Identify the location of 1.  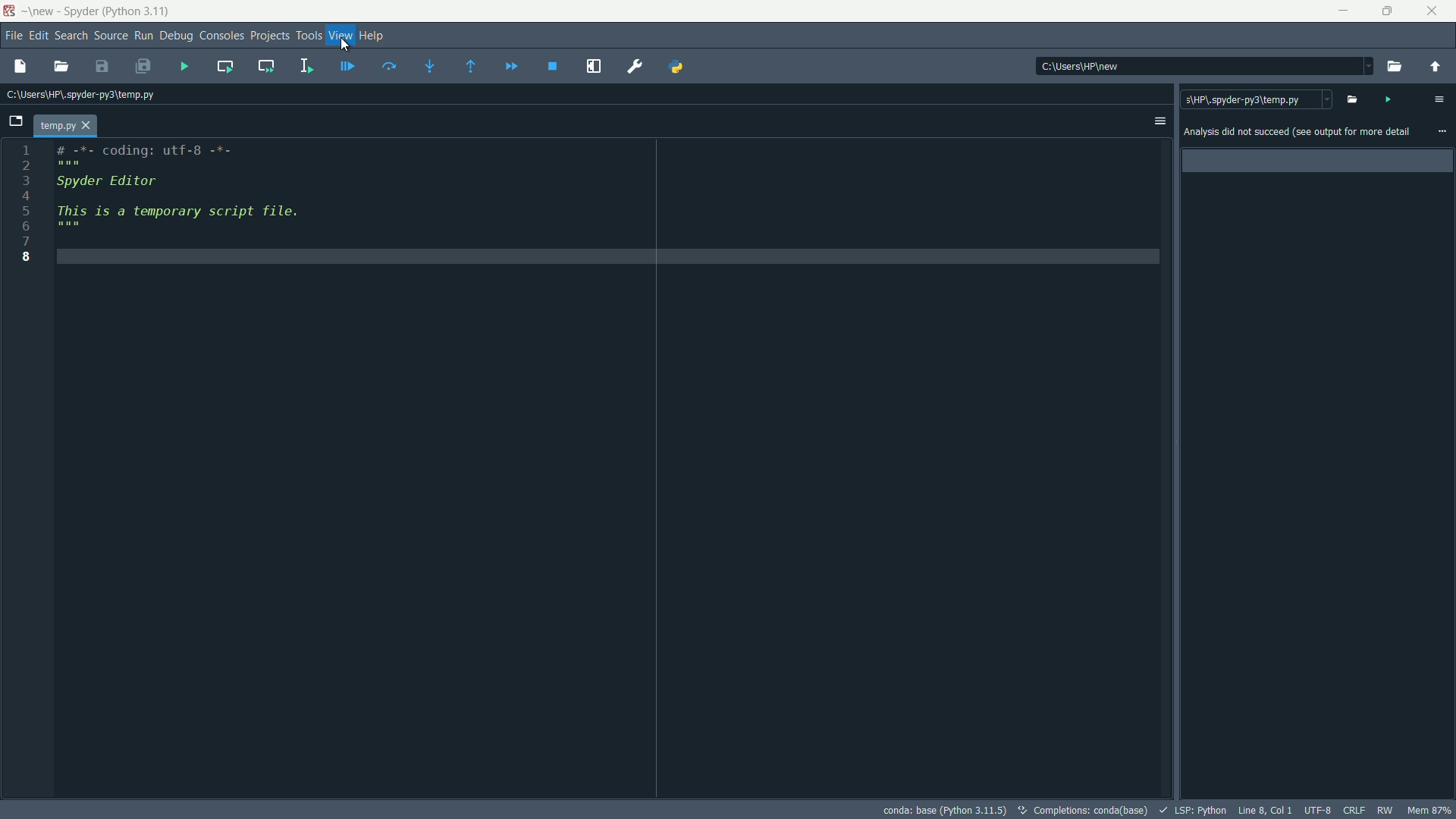
(25, 149).